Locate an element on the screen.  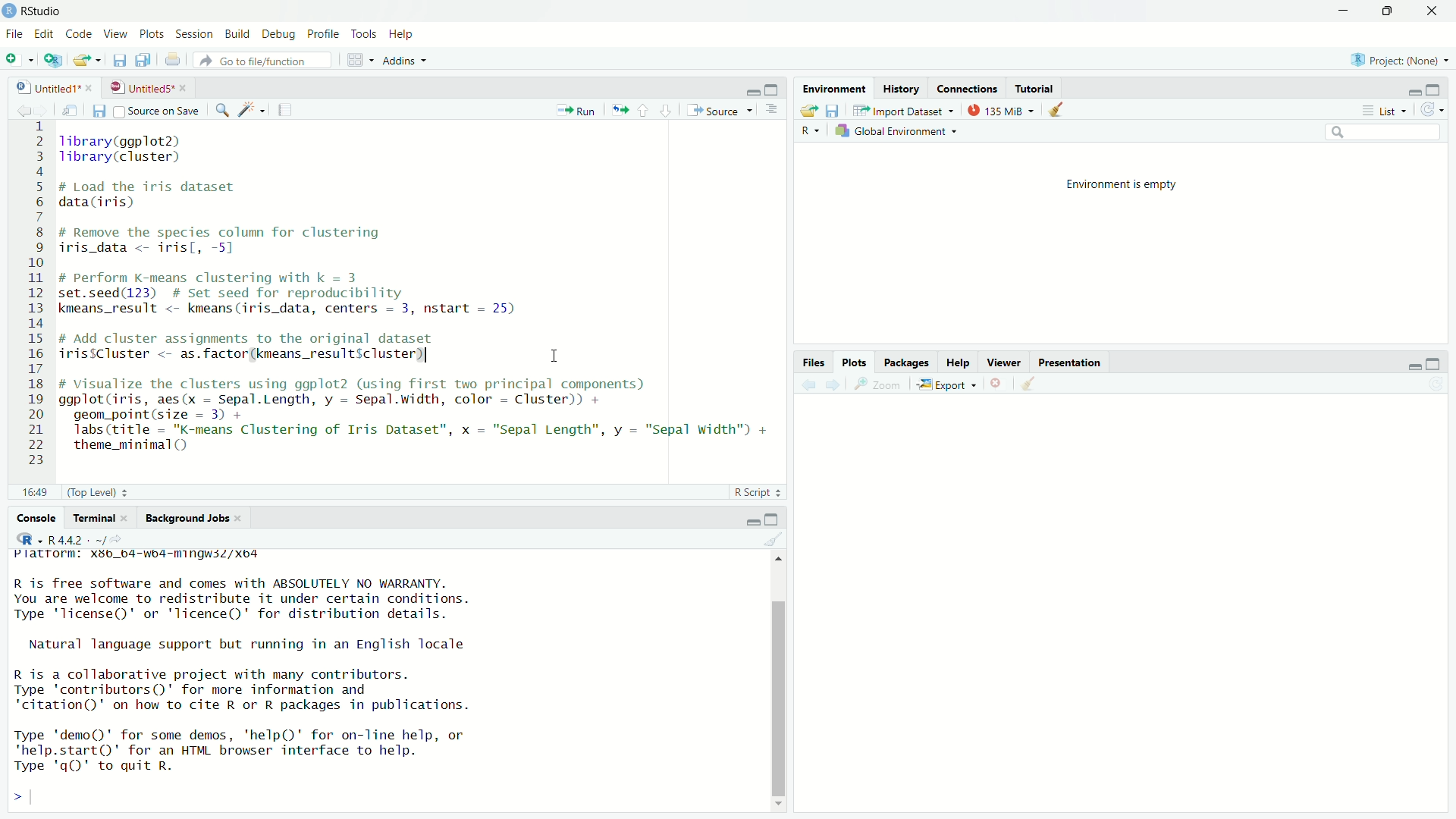
select language is located at coordinates (812, 131).